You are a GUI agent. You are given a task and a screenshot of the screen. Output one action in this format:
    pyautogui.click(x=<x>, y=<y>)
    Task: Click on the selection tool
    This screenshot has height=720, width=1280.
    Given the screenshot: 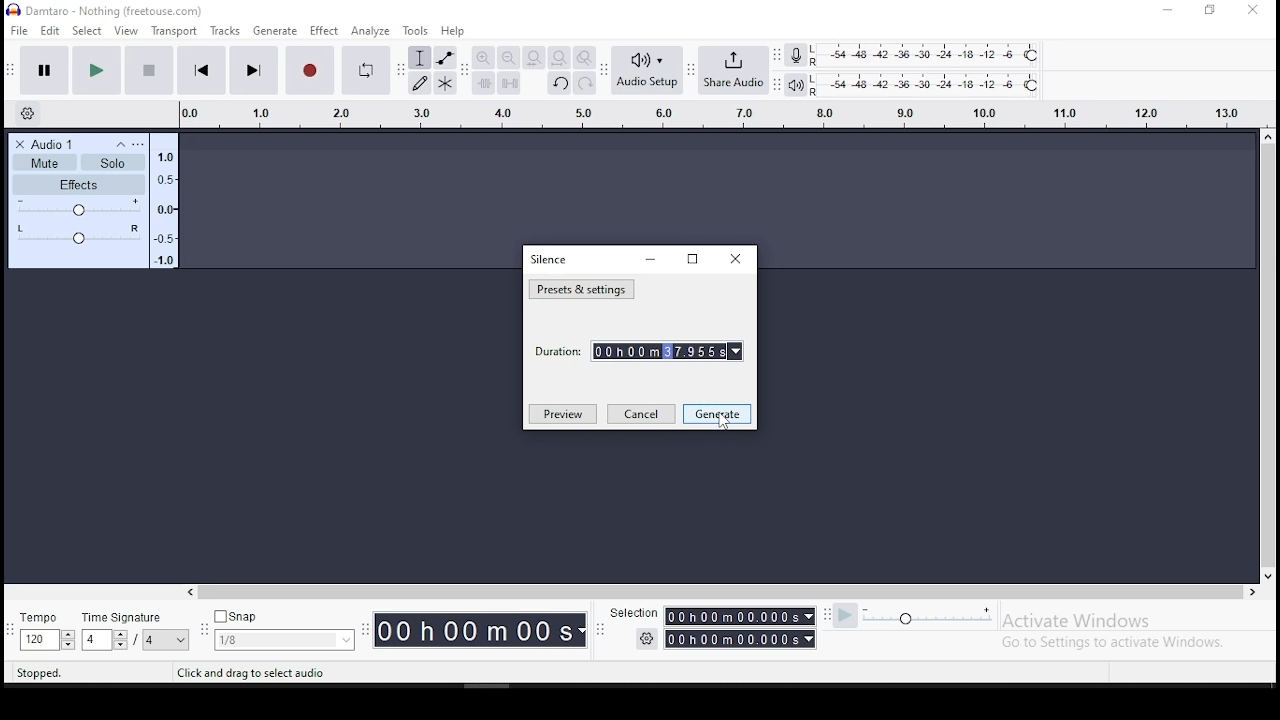 What is the action you would take?
    pyautogui.click(x=419, y=57)
    